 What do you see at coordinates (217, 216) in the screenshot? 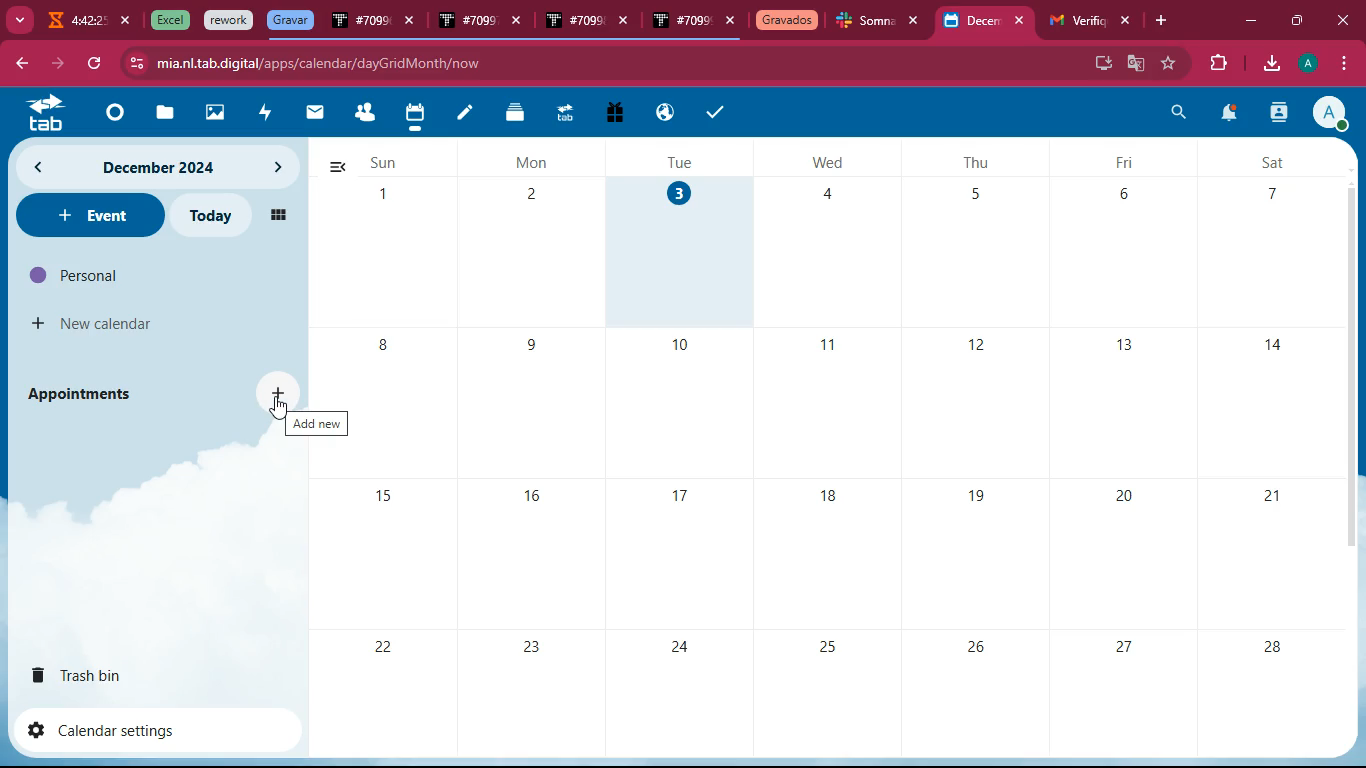
I see `today` at bounding box center [217, 216].